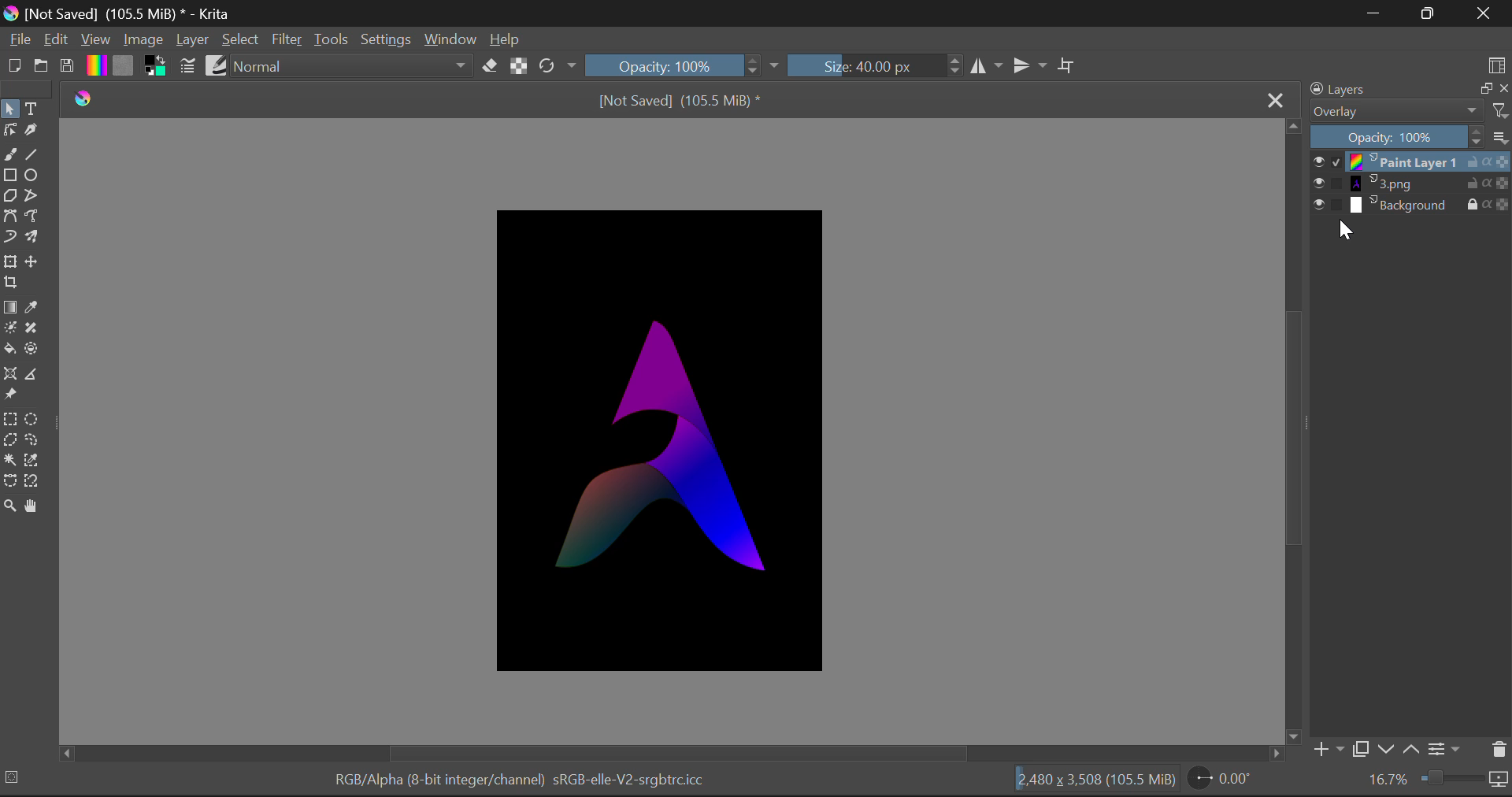  What do you see at coordinates (34, 482) in the screenshot?
I see `Magentic Selection Tool` at bounding box center [34, 482].